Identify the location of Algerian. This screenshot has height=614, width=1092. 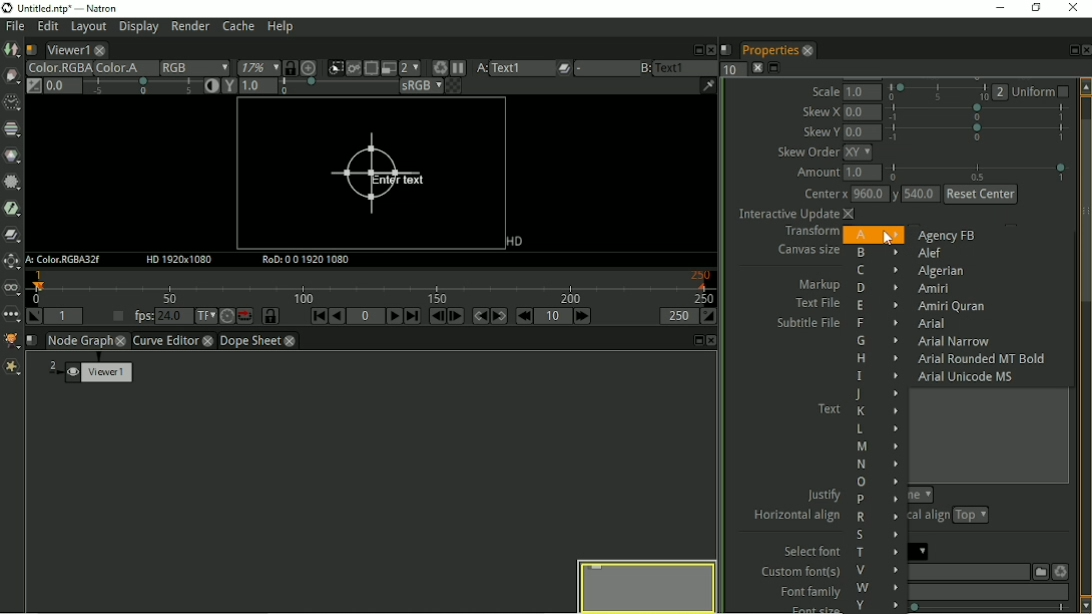
(941, 272).